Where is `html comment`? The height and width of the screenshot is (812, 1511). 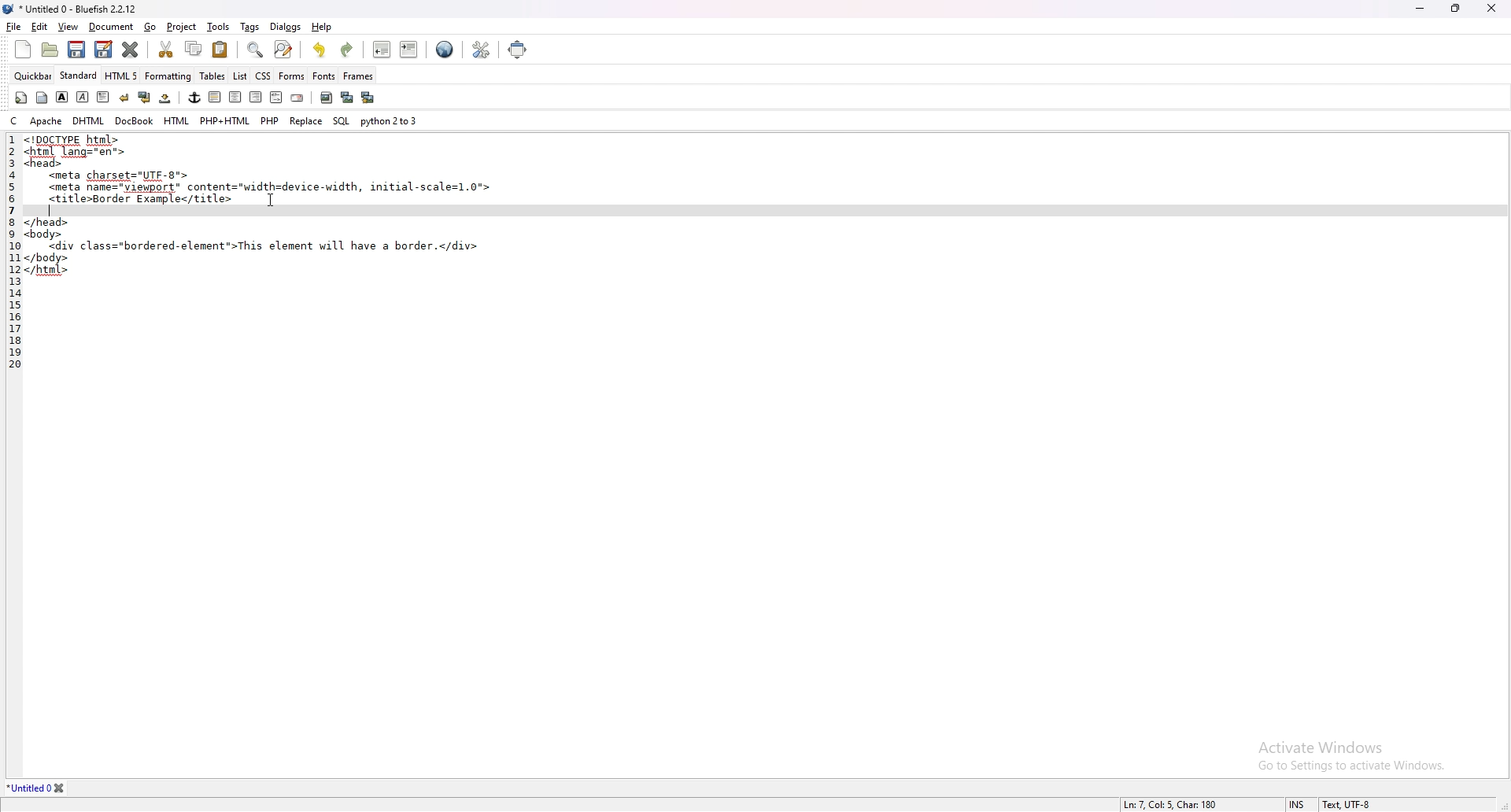
html comment is located at coordinates (275, 98).